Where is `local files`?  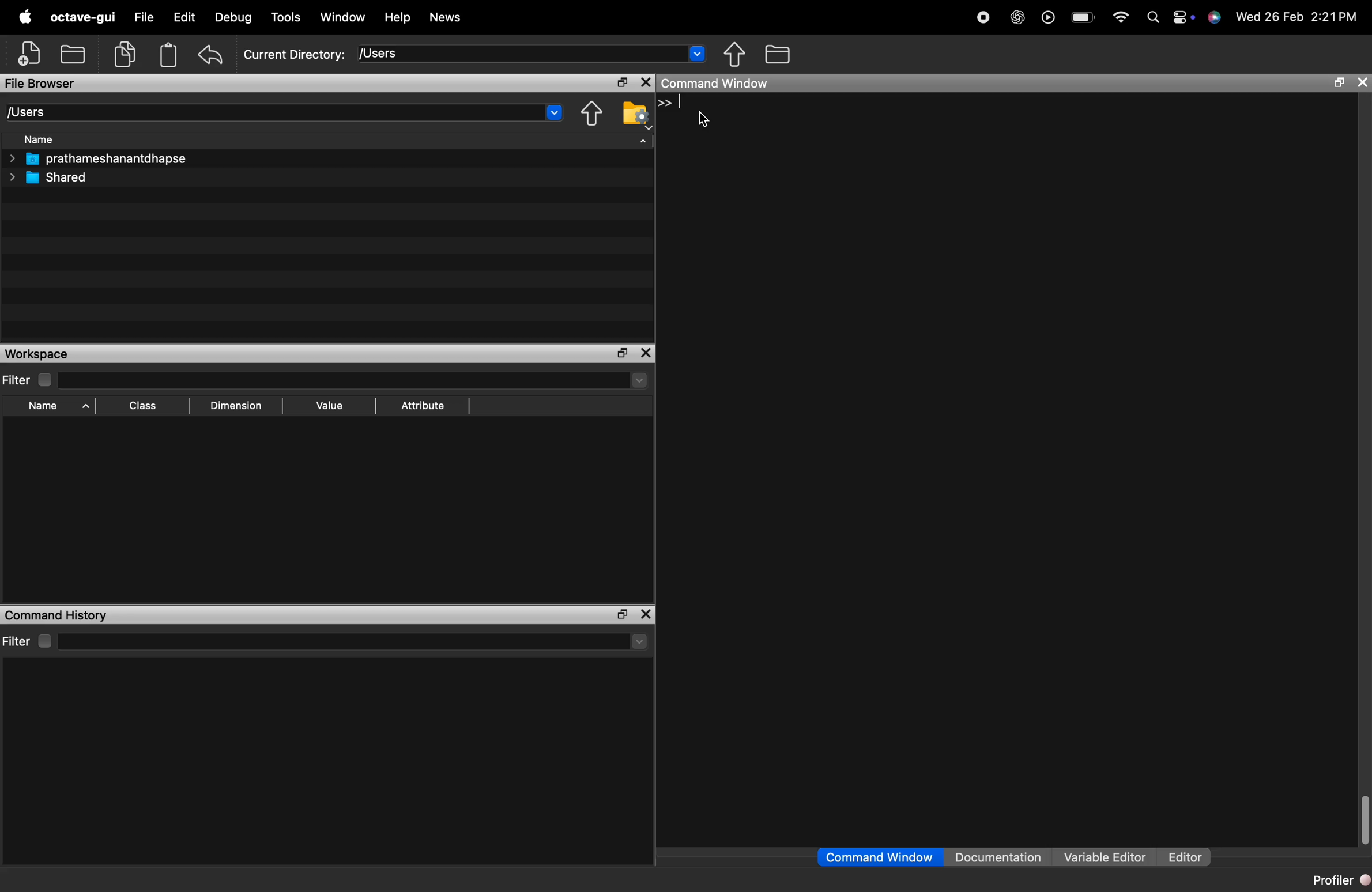
local files is located at coordinates (77, 54).